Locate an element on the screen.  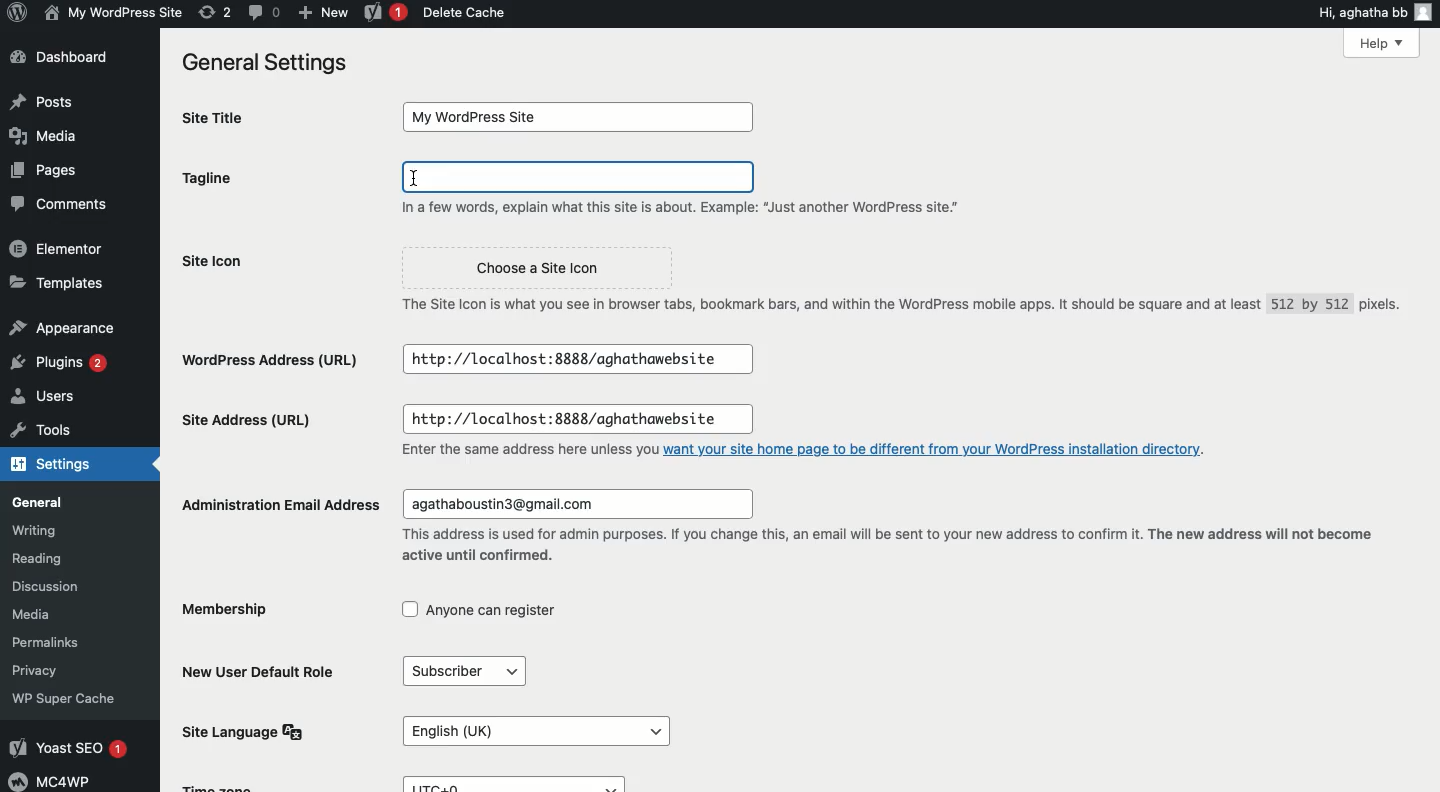
Permalinks is located at coordinates (50, 643).